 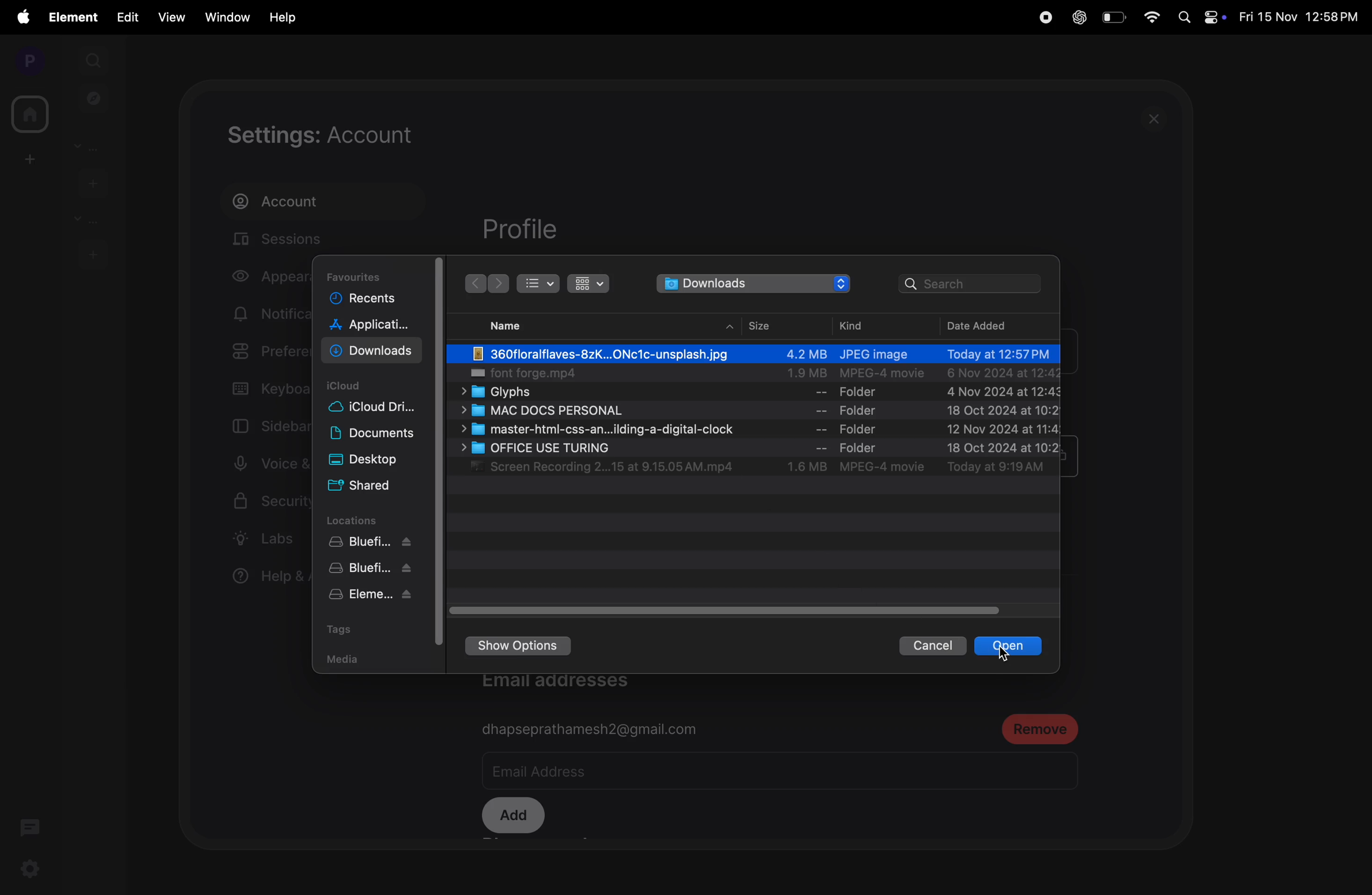 I want to click on add, so click(x=27, y=159).